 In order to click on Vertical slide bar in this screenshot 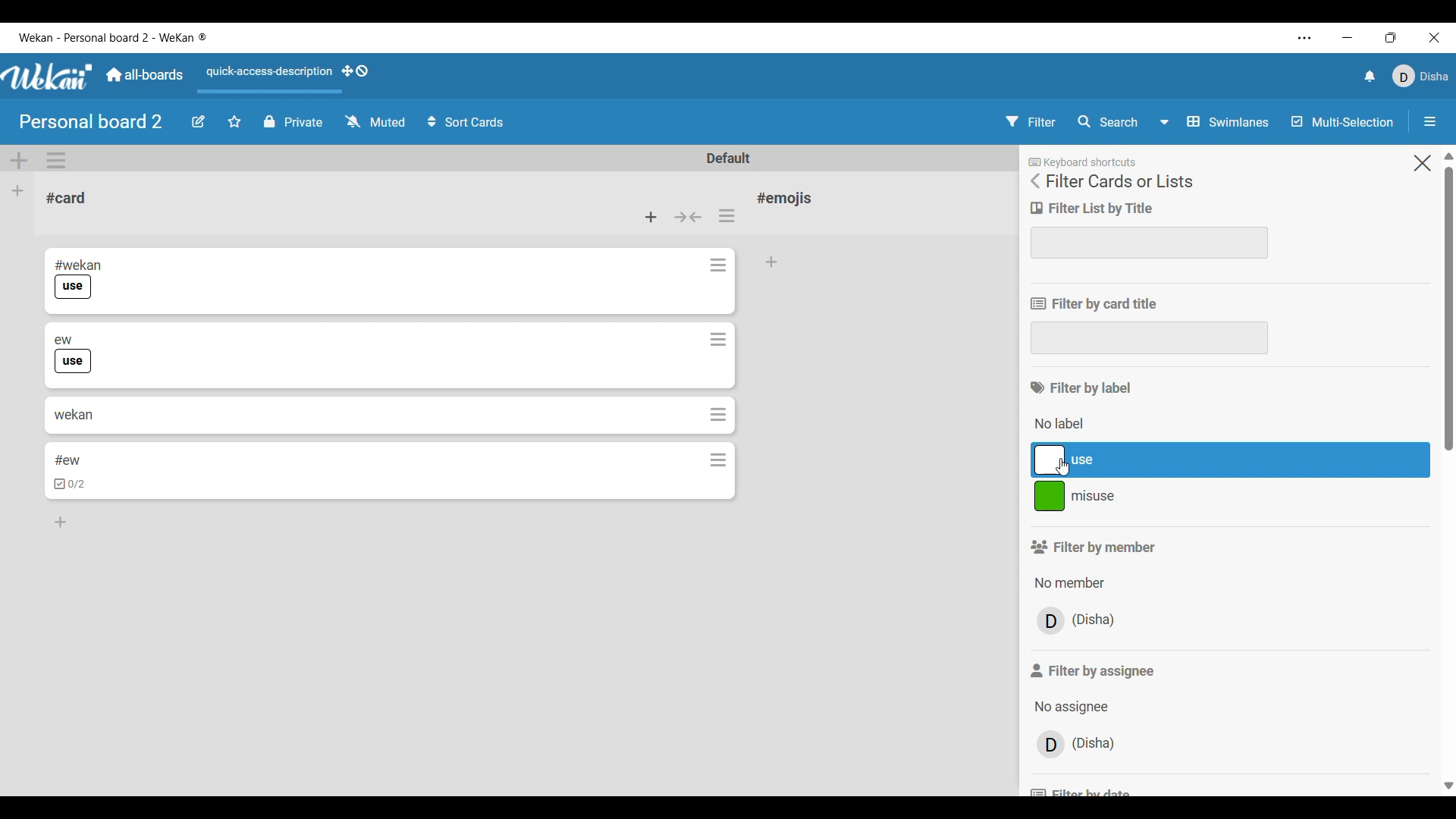, I will do `click(1448, 472)`.